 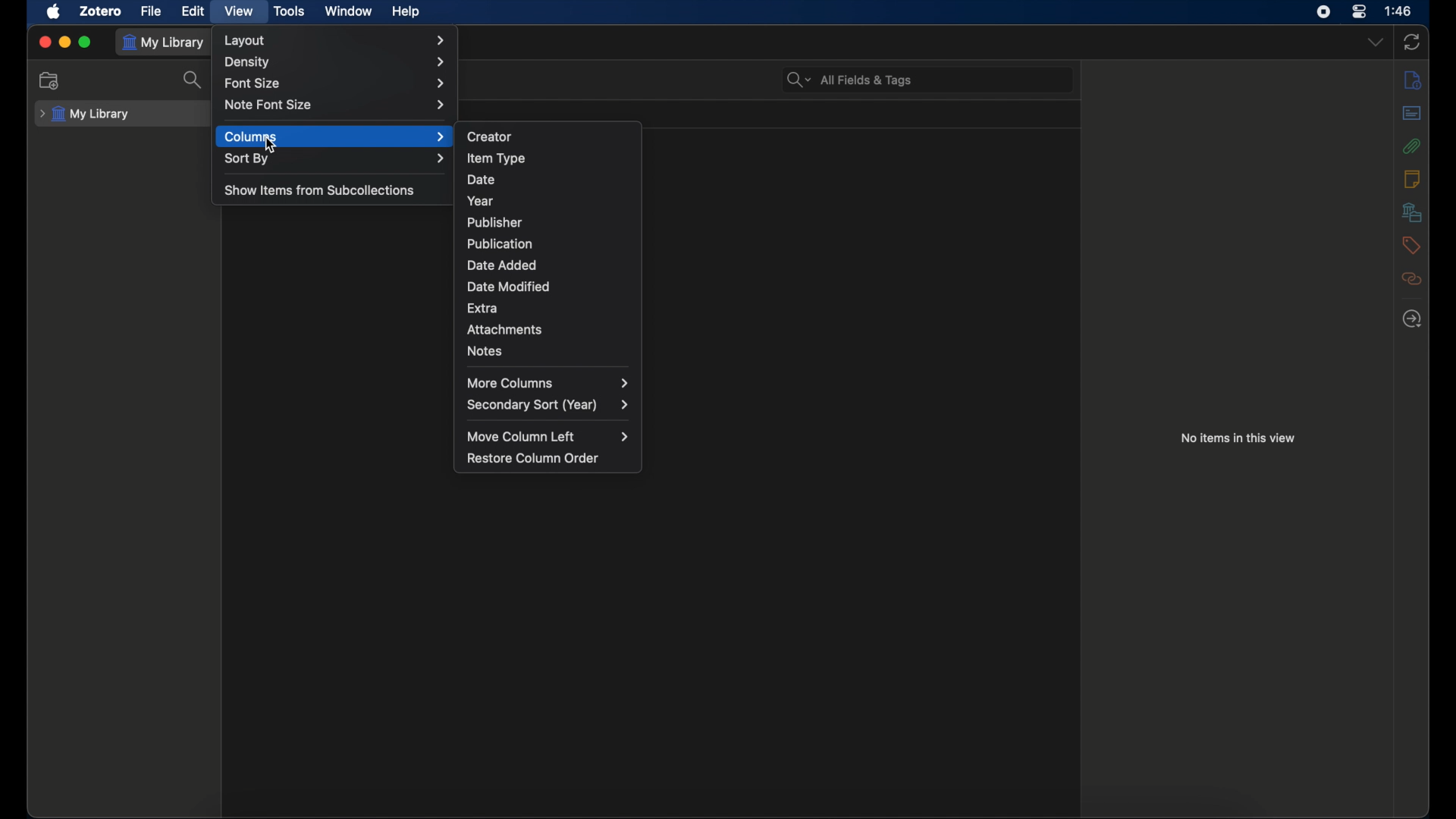 I want to click on font size, so click(x=337, y=82).